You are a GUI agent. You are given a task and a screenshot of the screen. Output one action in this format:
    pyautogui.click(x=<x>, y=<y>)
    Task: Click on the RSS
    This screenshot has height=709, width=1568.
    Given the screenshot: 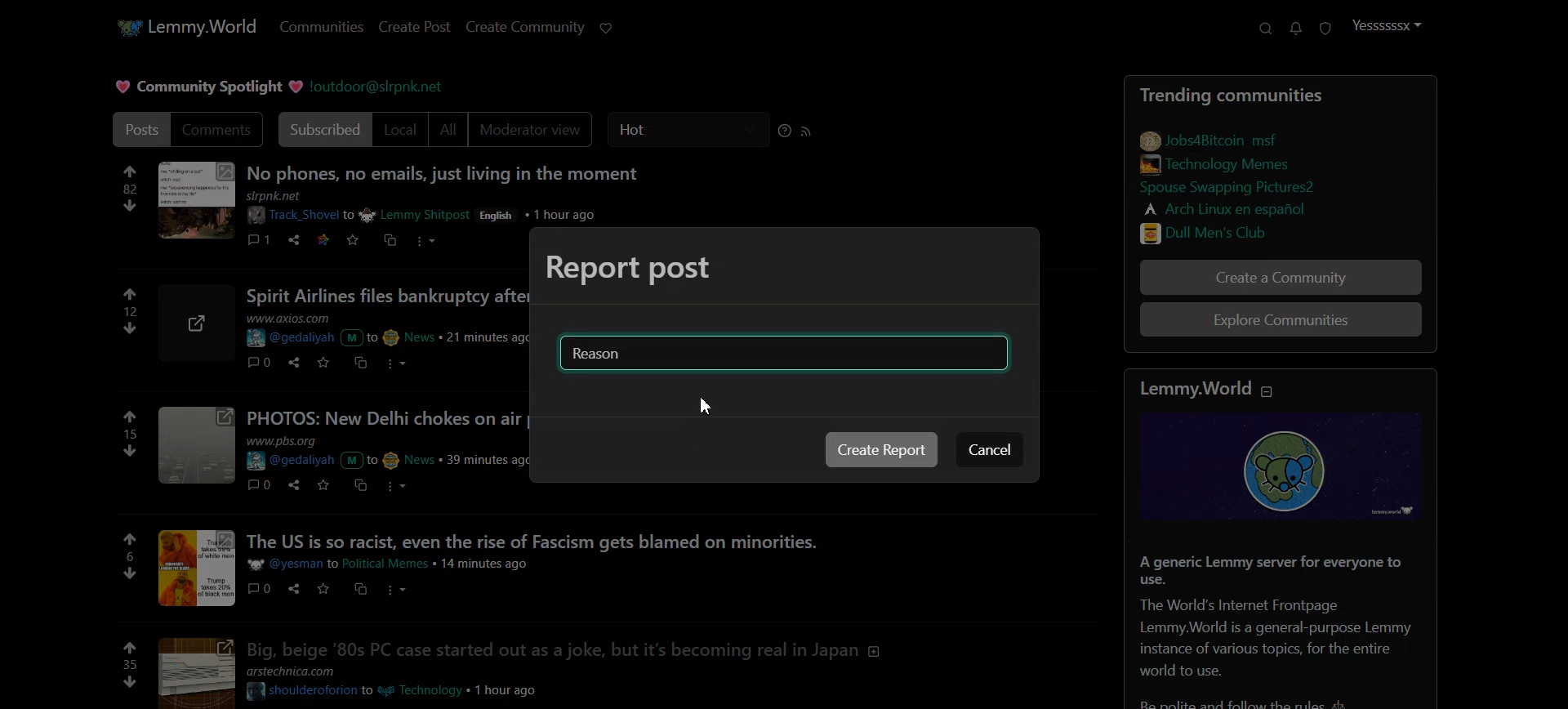 What is the action you would take?
    pyautogui.click(x=807, y=131)
    